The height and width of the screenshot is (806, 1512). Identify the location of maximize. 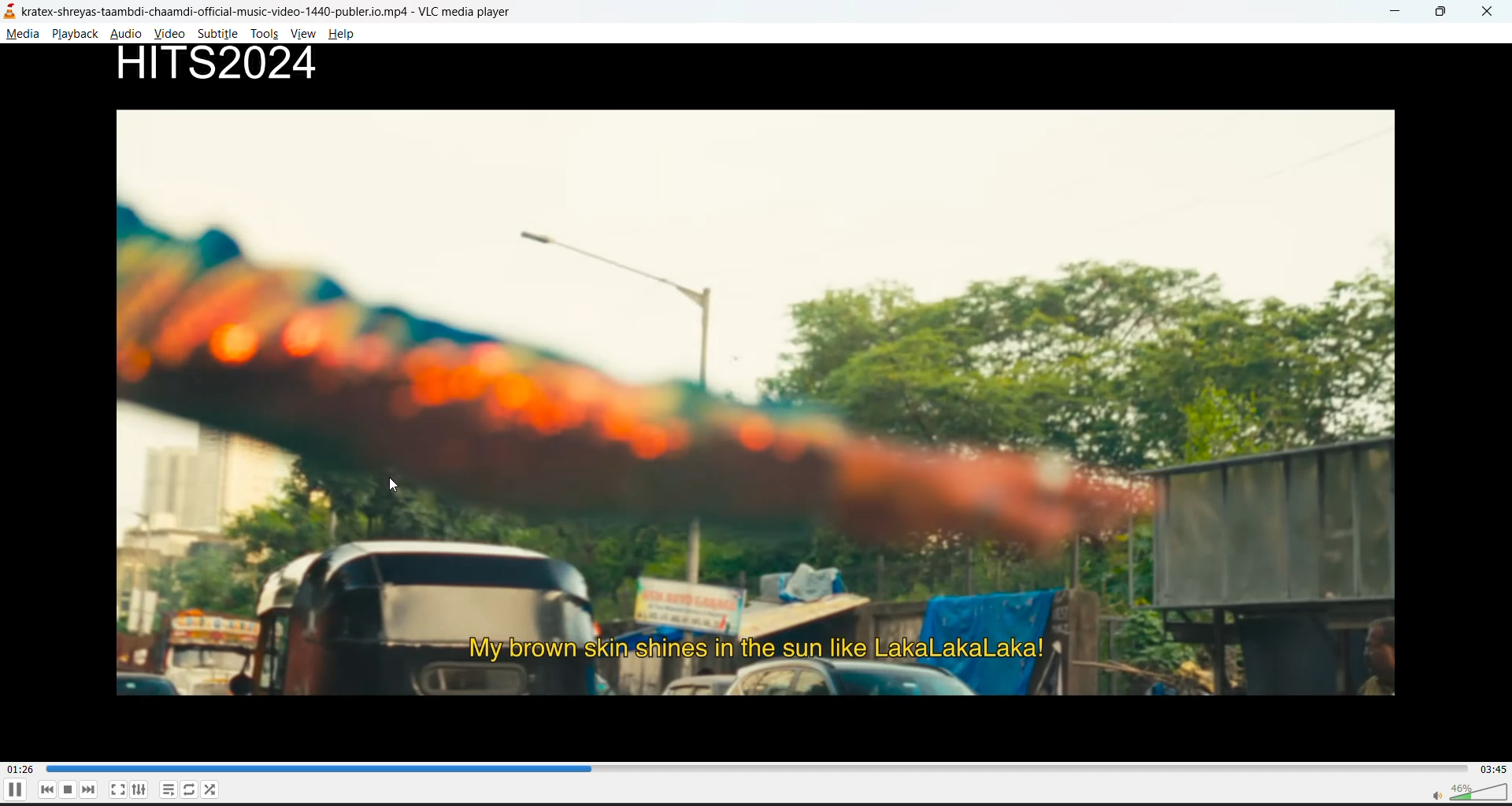
(1446, 13).